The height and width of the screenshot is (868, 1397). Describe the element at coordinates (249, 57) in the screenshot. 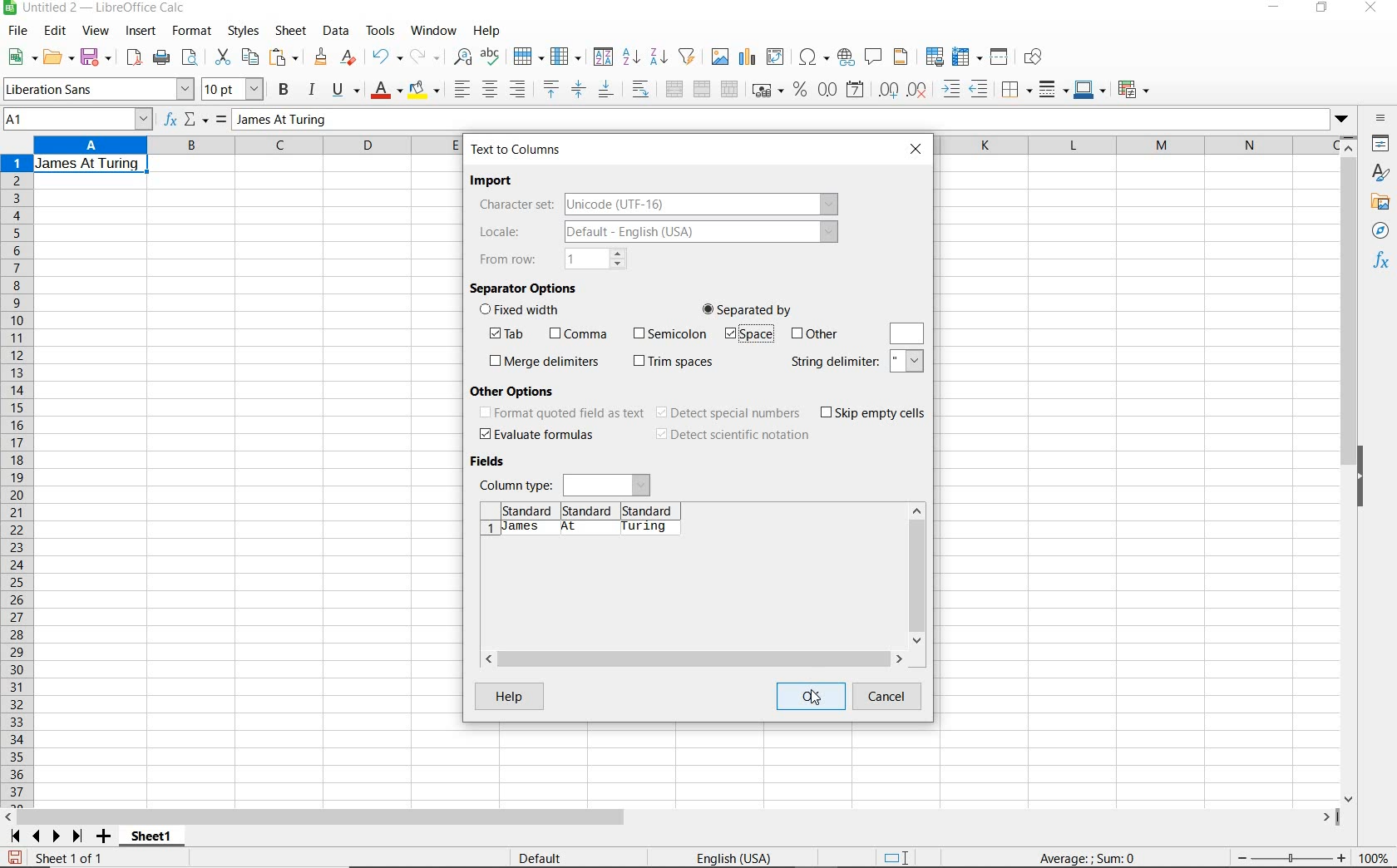

I see `copy` at that location.